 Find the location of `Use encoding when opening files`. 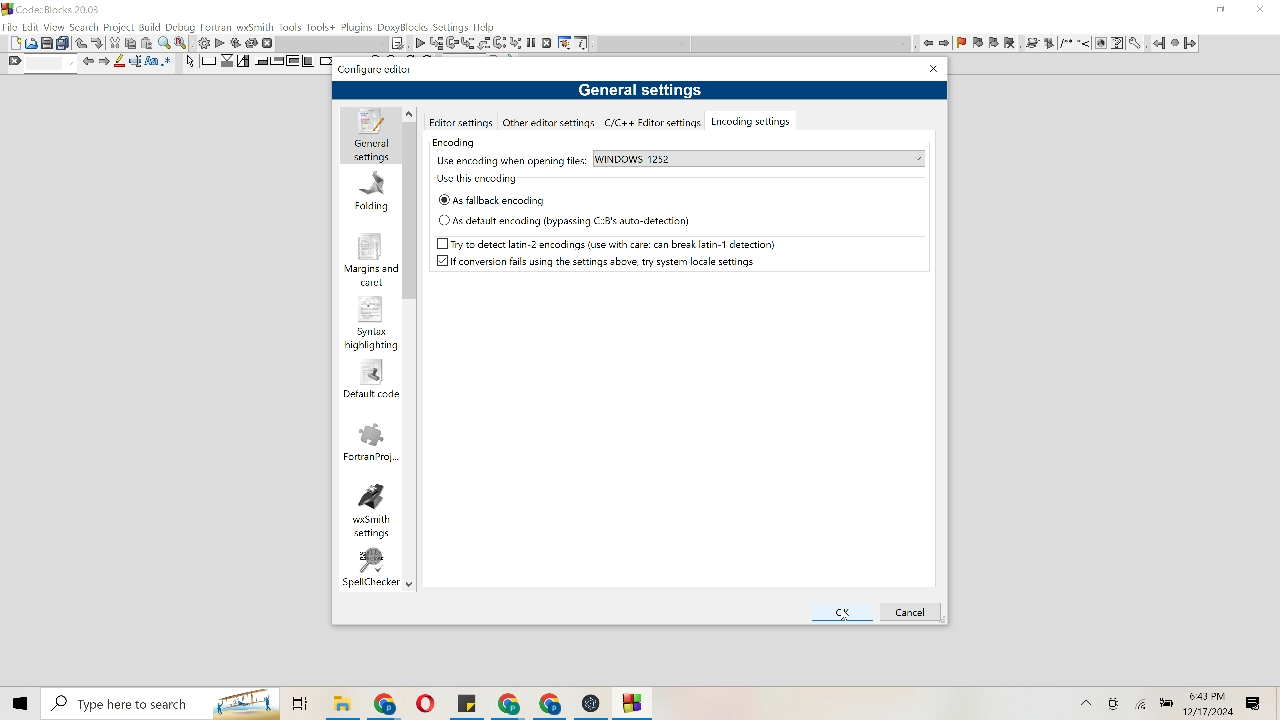

Use encoding when opening files is located at coordinates (508, 162).